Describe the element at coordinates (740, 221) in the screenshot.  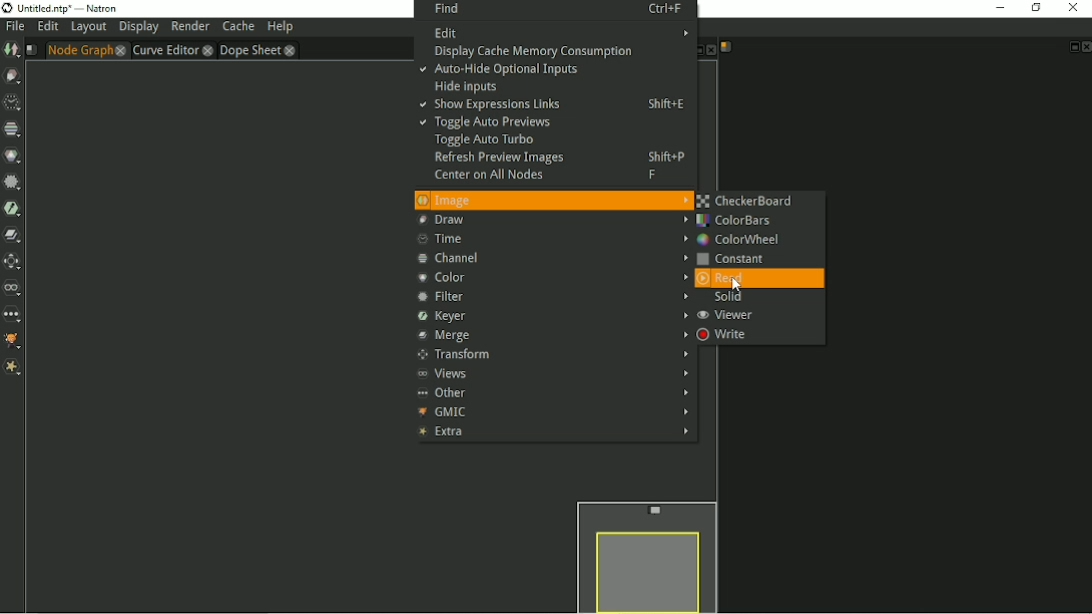
I see `ColorBars` at that location.